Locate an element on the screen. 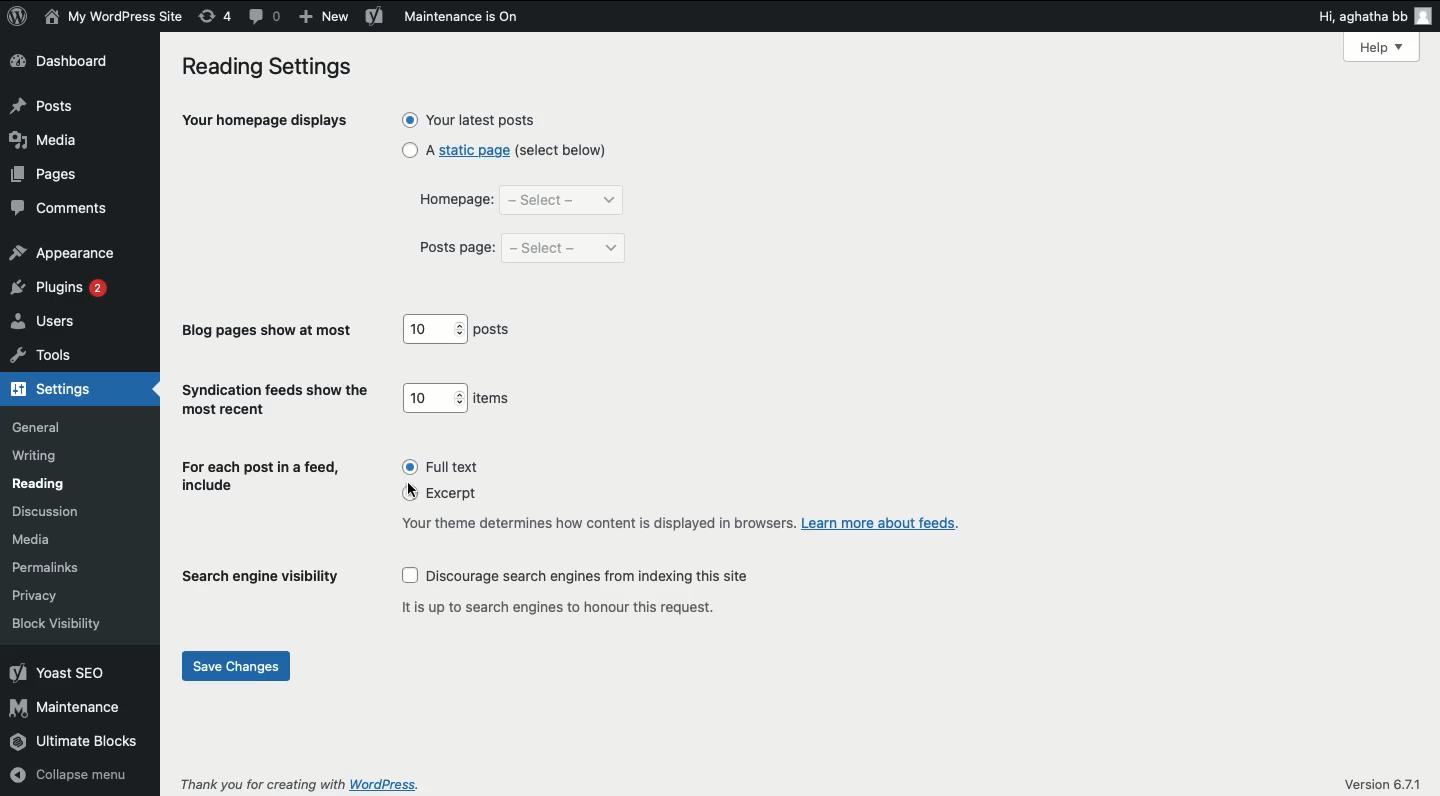  maintenance is located at coordinates (64, 707).